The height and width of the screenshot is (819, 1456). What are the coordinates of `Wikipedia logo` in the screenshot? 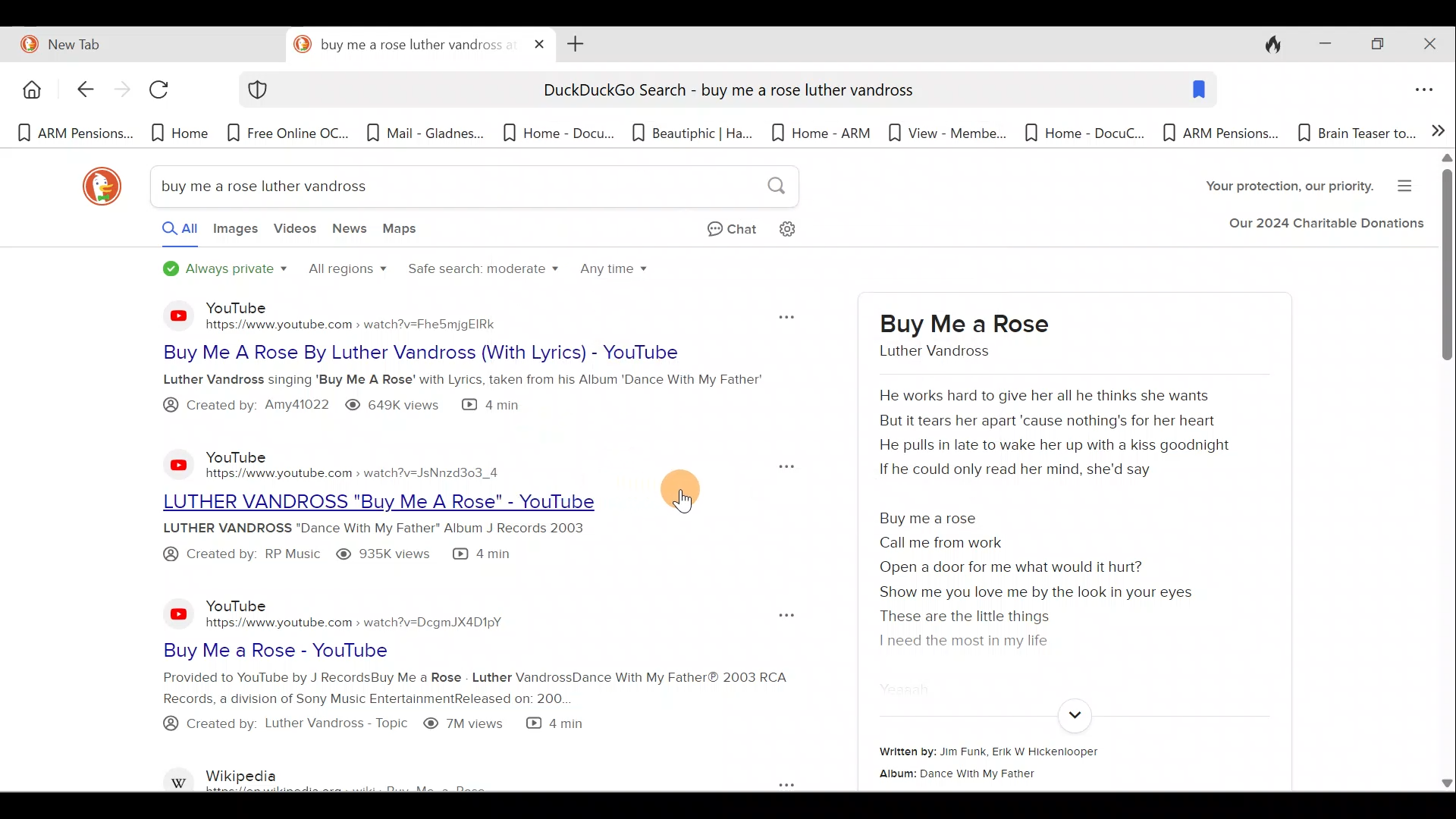 It's located at (180, 777).